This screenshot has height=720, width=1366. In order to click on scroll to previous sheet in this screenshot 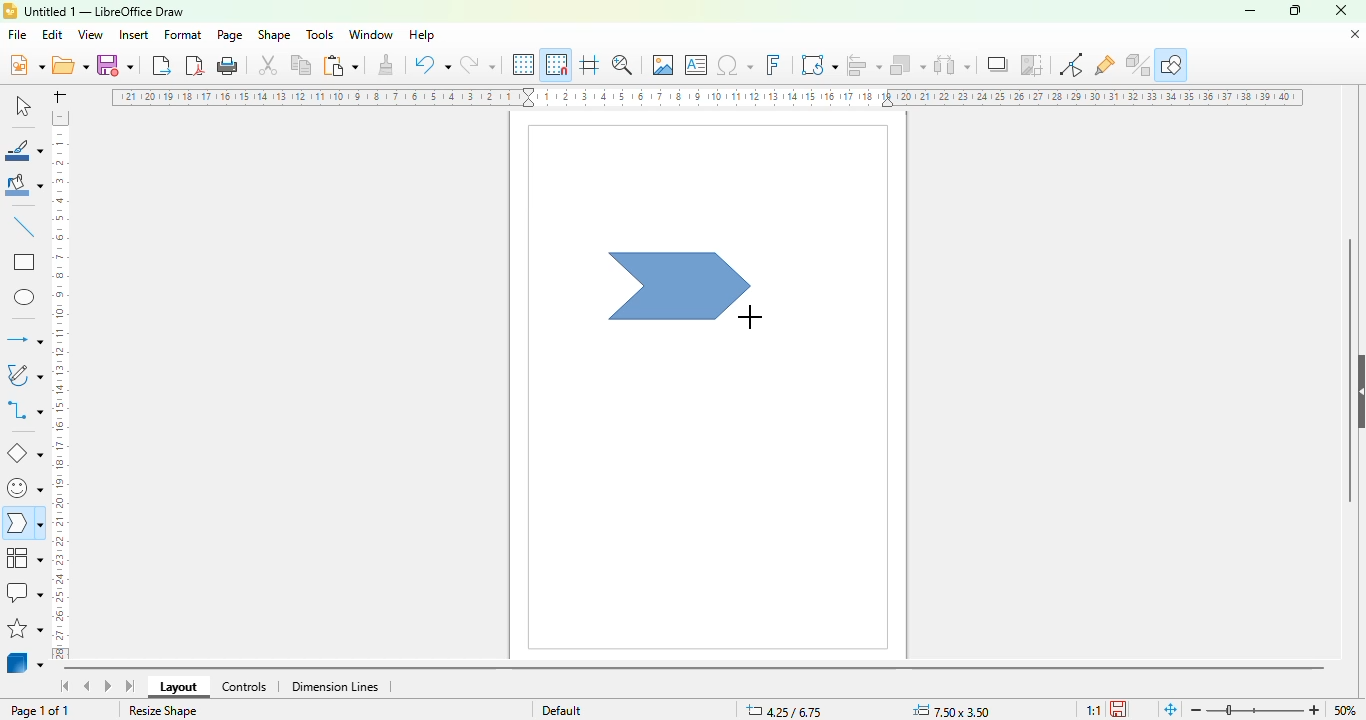, I will do `click(87, 685)`.